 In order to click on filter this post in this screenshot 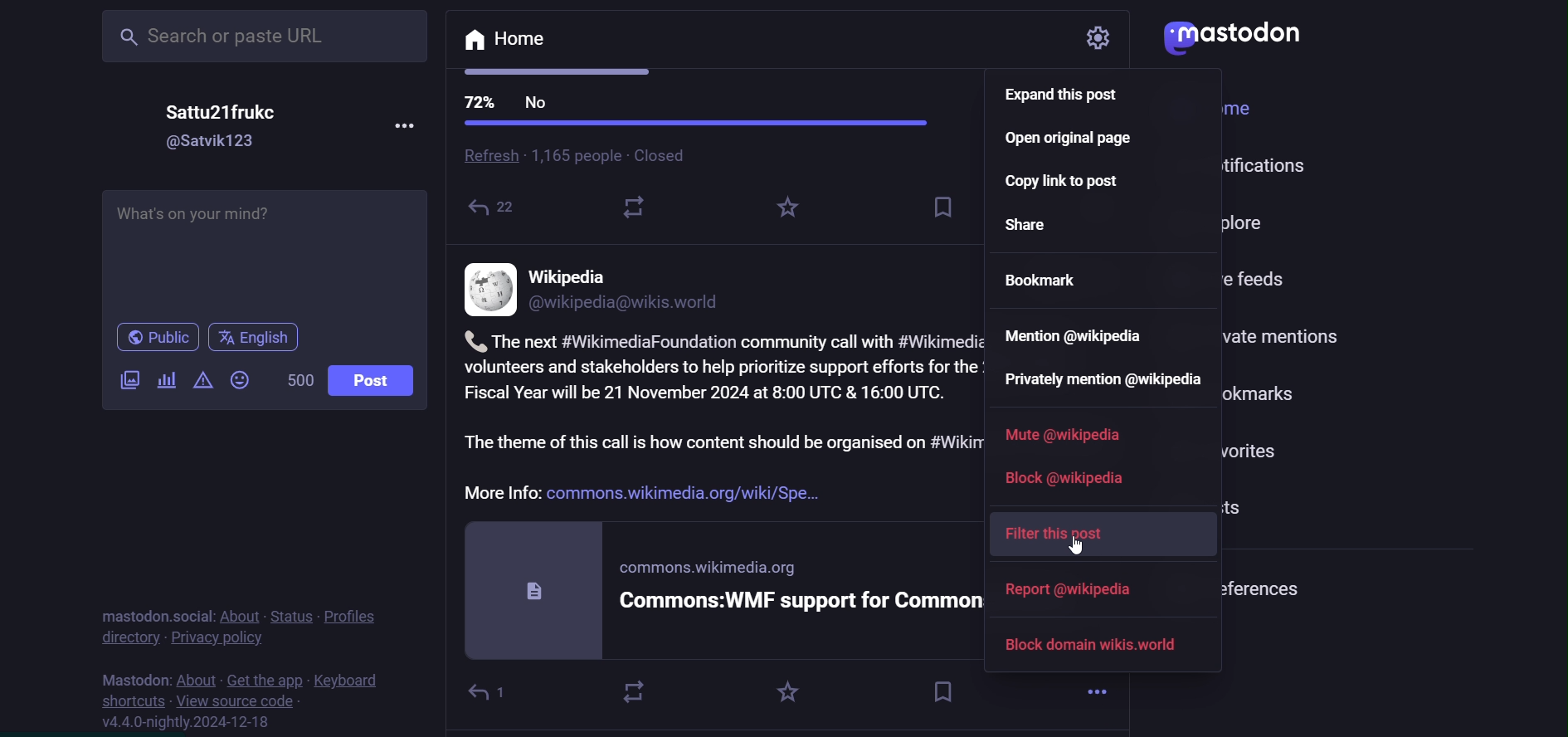, I will do `click(1064, 534)`.